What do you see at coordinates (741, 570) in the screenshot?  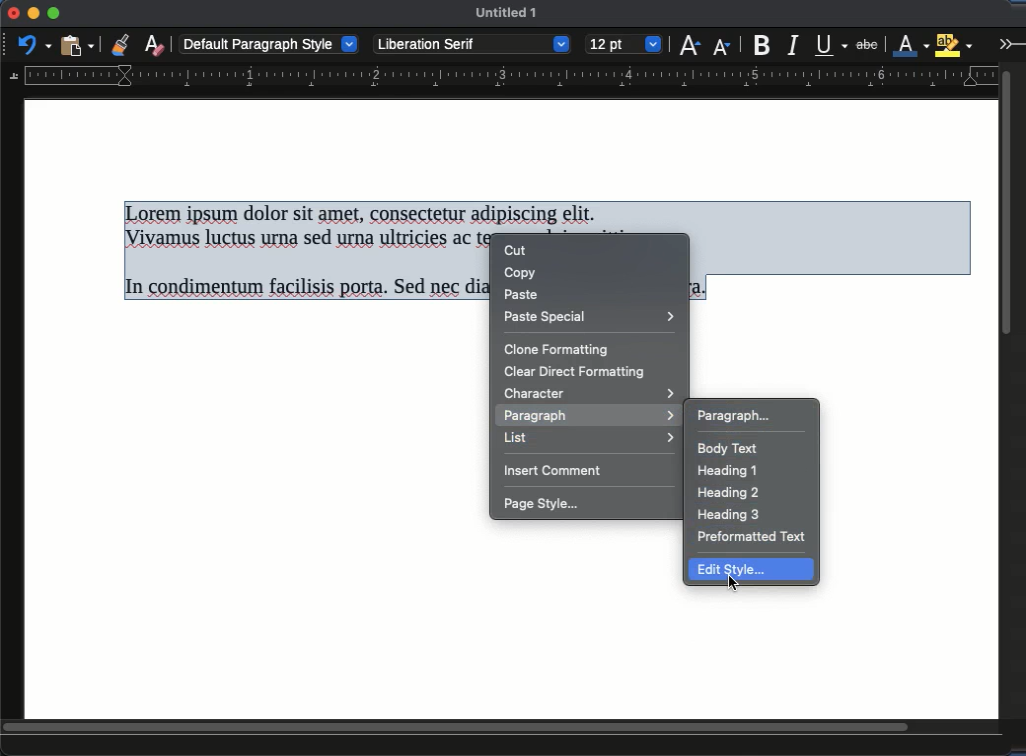 I see `edit style` at bounding box center [741, 570].